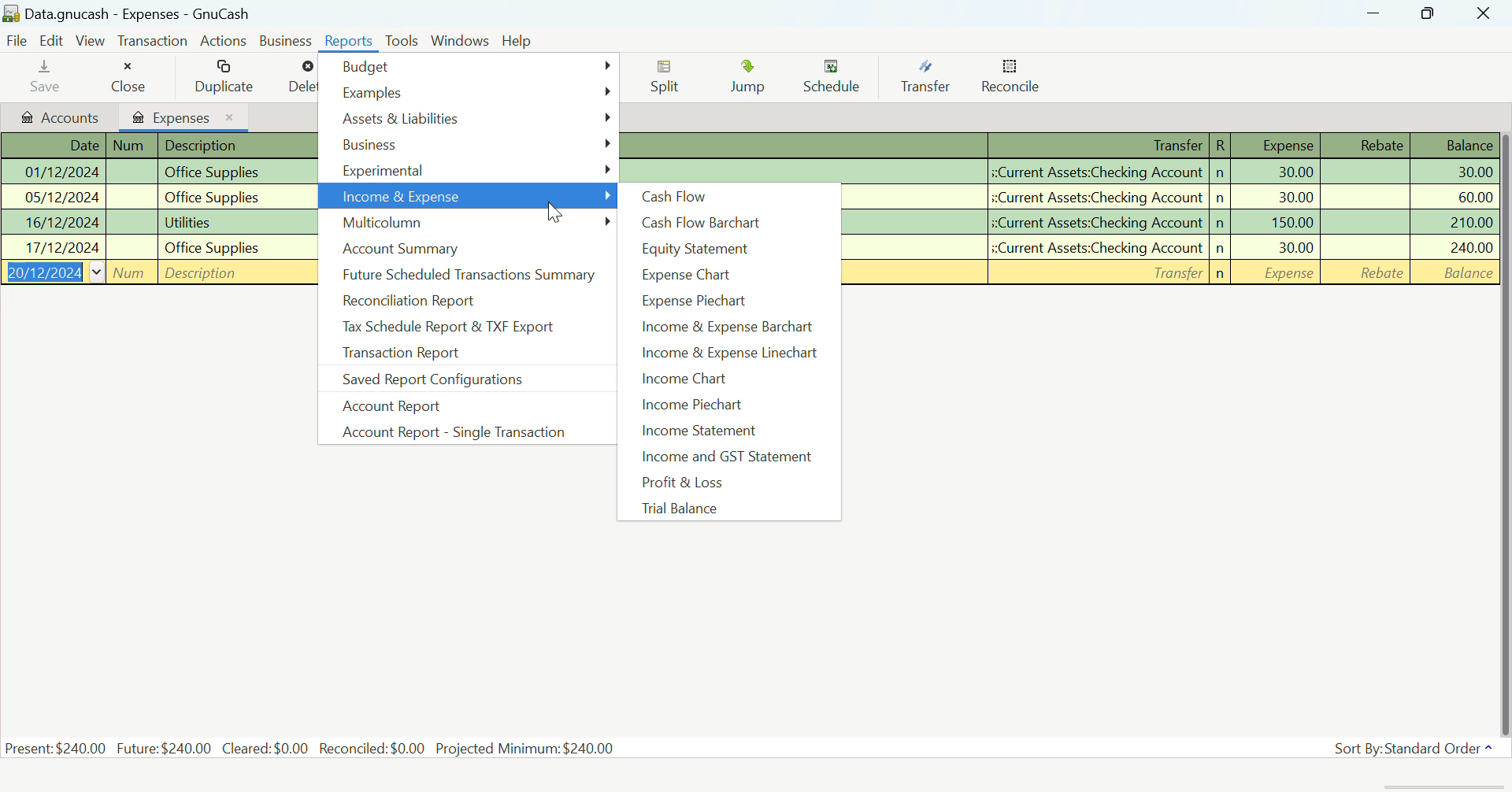 This screenshot has height=792, width=1512. I want to click on Restore Down, so click(1375, 13).